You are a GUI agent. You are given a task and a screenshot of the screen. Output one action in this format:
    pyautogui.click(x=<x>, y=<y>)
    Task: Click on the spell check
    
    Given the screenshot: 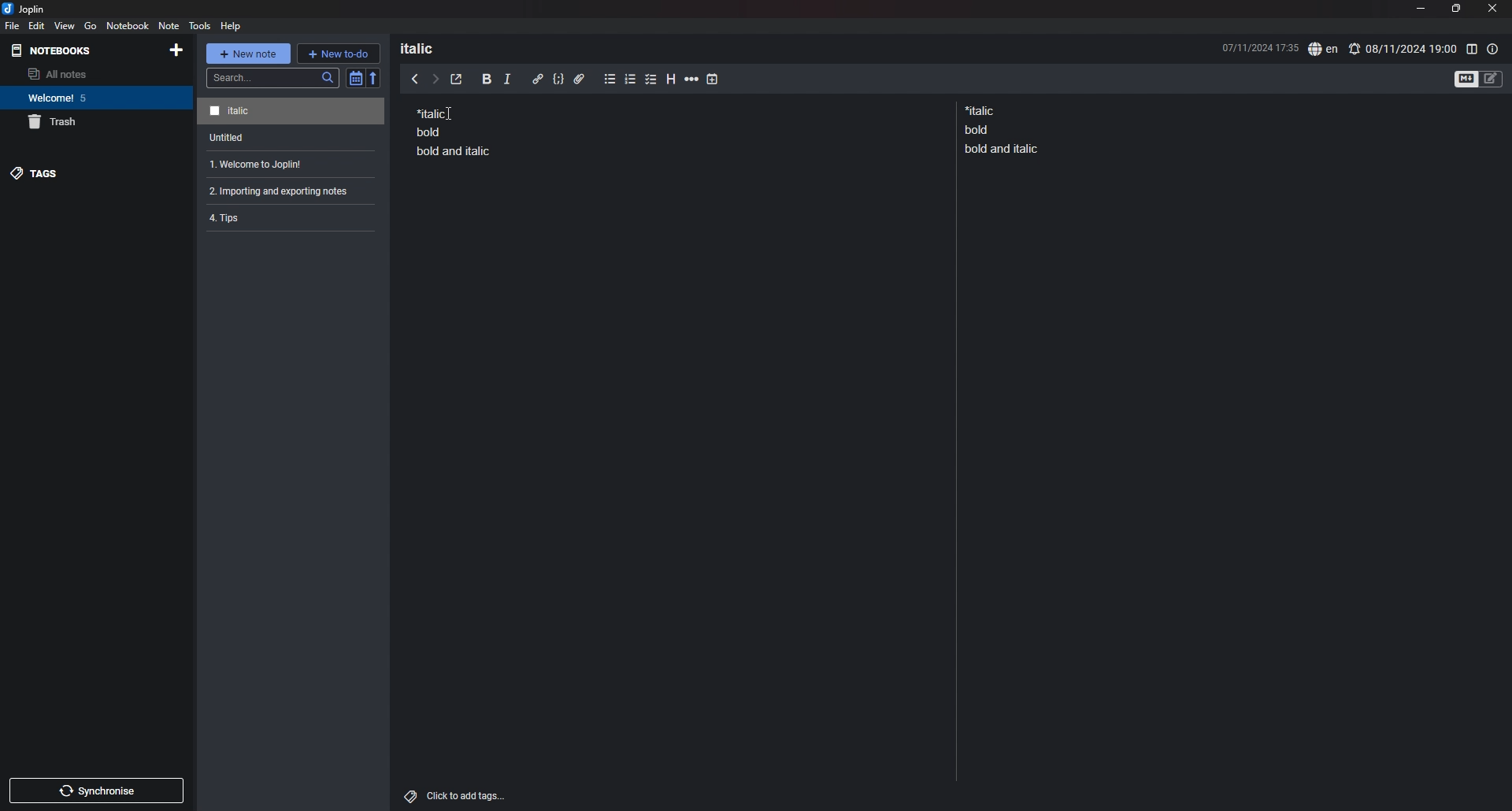 What is the action you would take?
    pyautogui.click(x=1323, y=50)
    